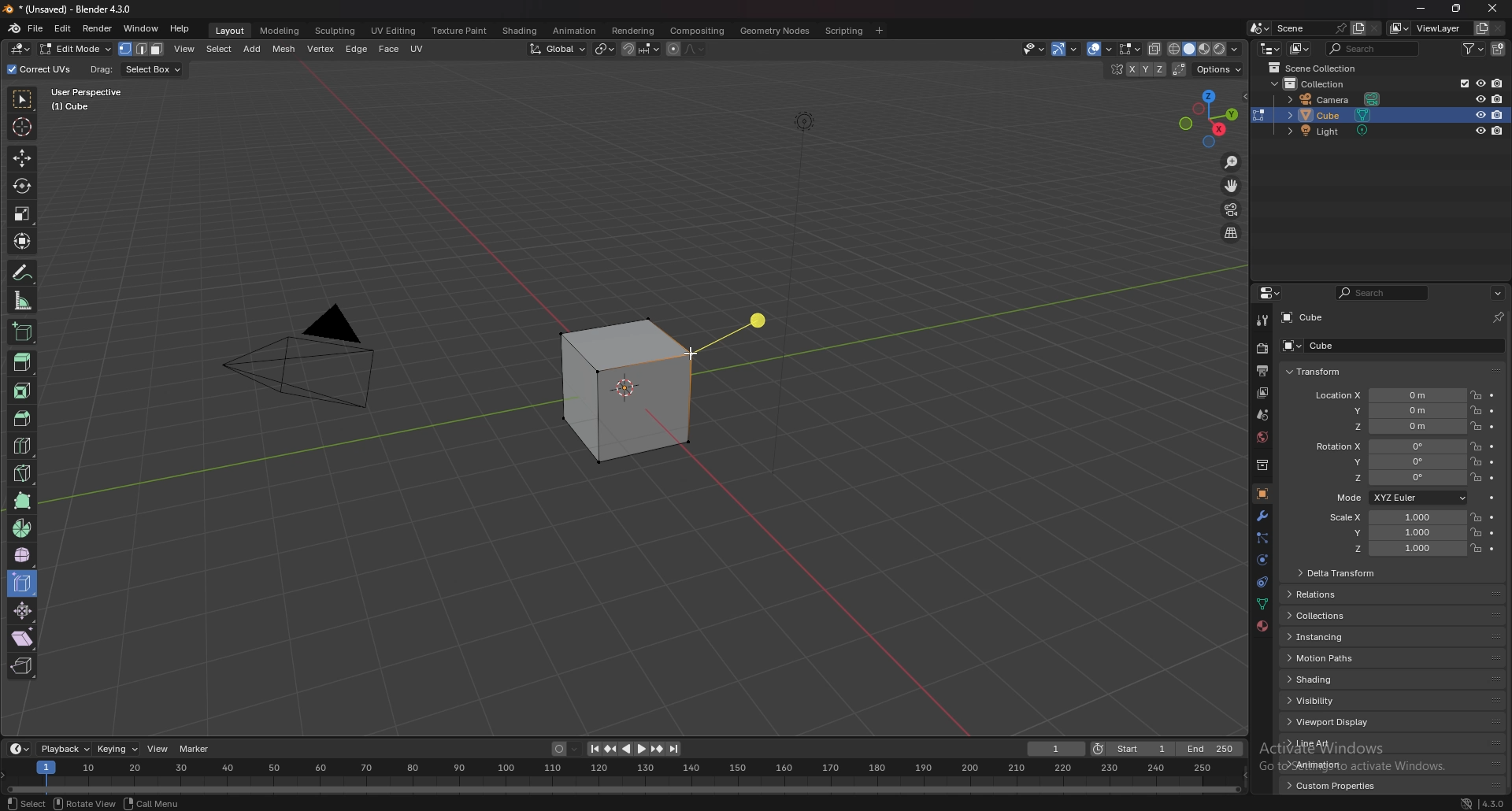 The width and height of the screenshot is (1512, 811). What do you see at coordinates (1209, 118) in the screenshot?
I see `use a preset viewpoint` at bounding box center [1209, 118].